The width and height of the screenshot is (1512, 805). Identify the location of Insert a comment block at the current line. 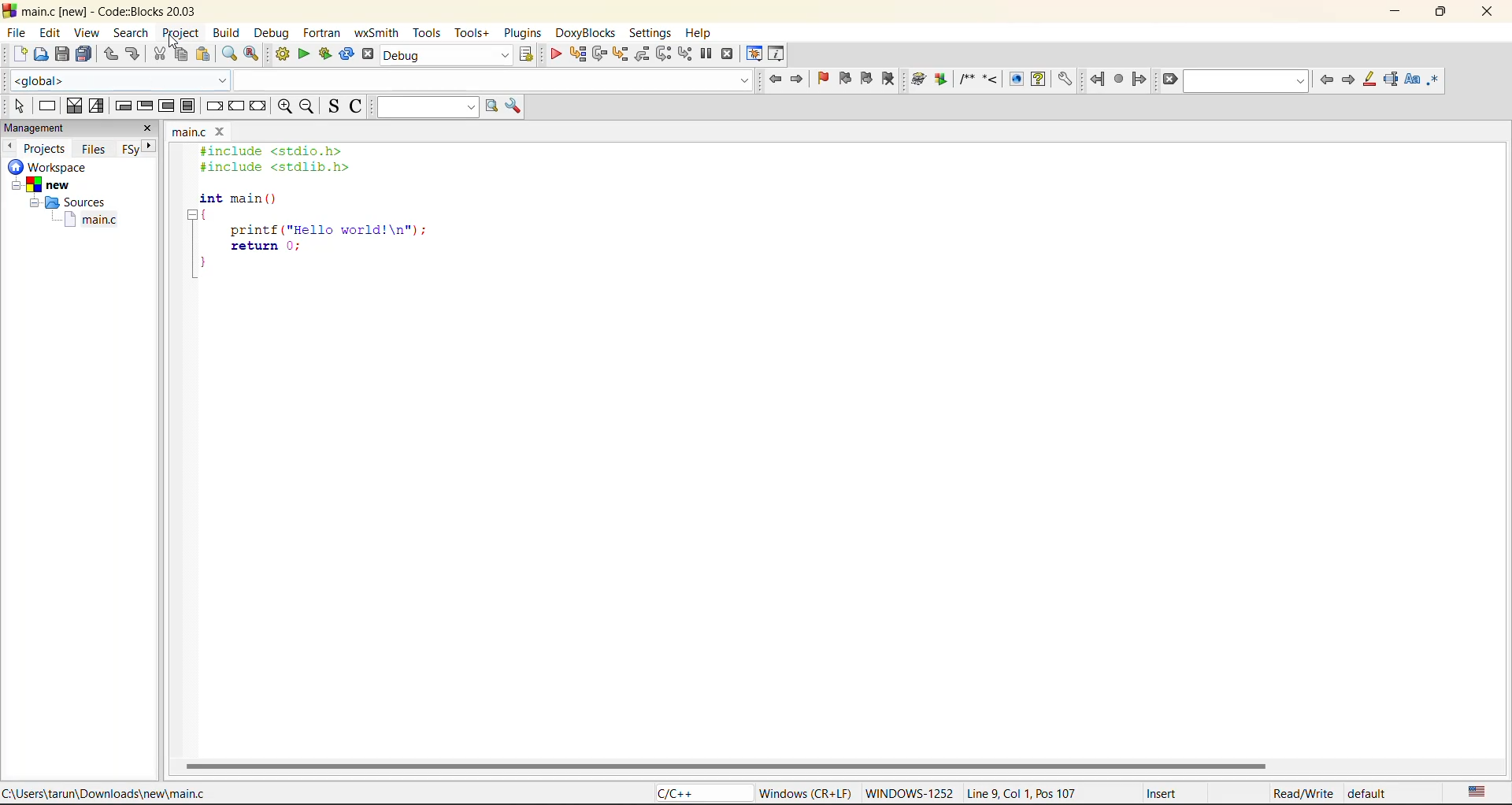
(966, 80).